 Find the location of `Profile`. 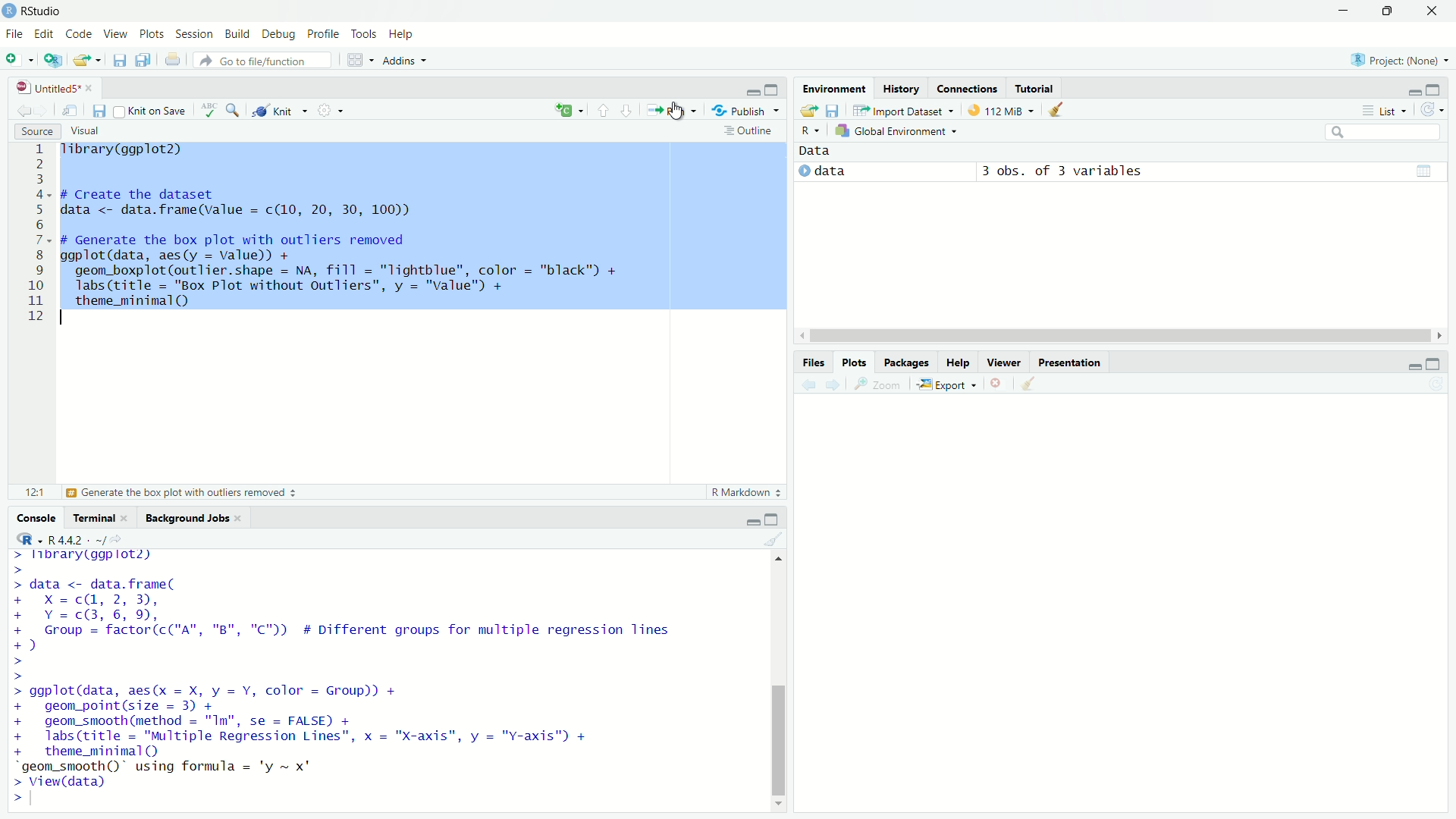

Profile is located at coordinates (326, 35).